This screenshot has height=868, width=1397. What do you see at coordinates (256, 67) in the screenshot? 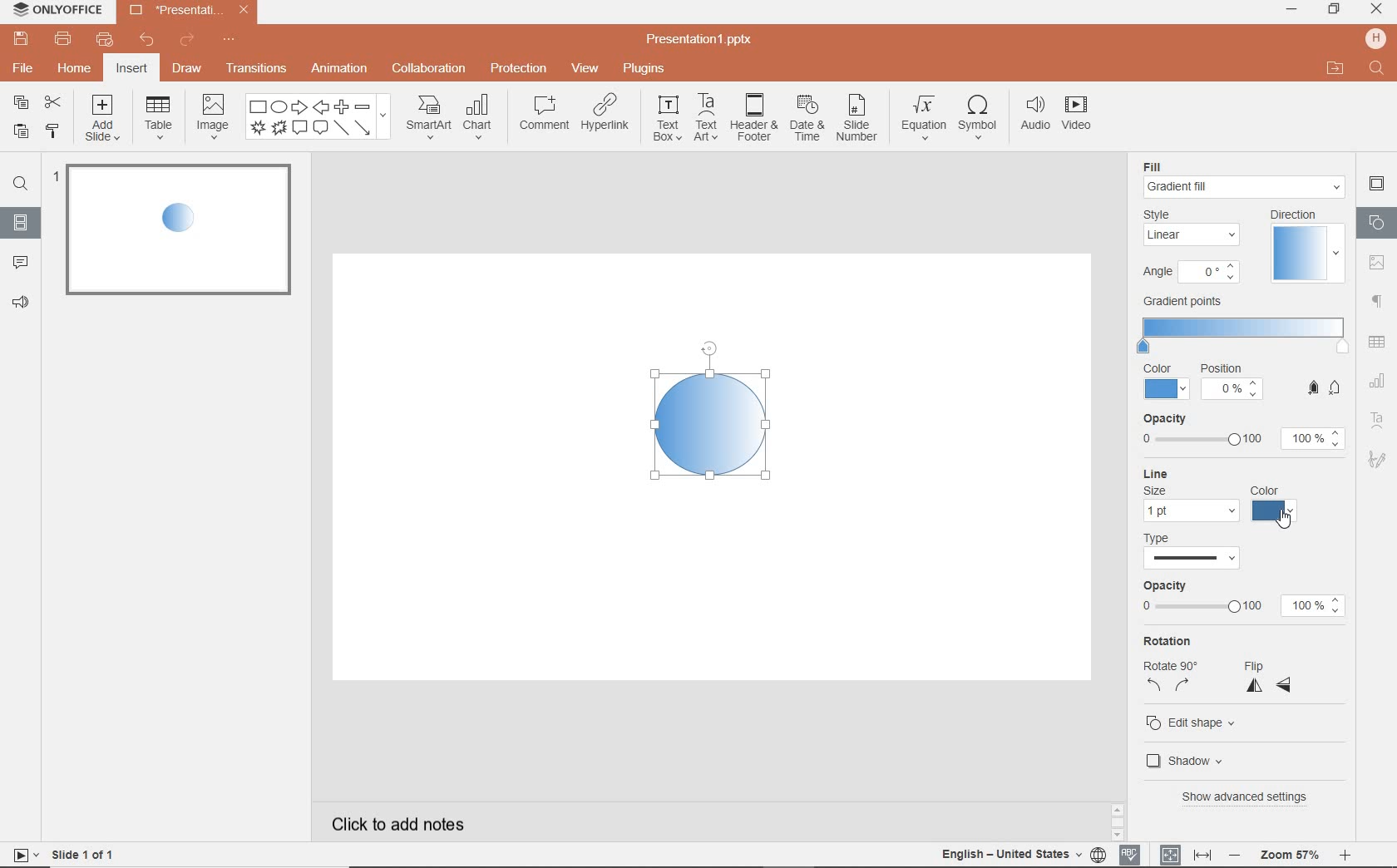
I see `transitions` at bounding box center [256, 67].